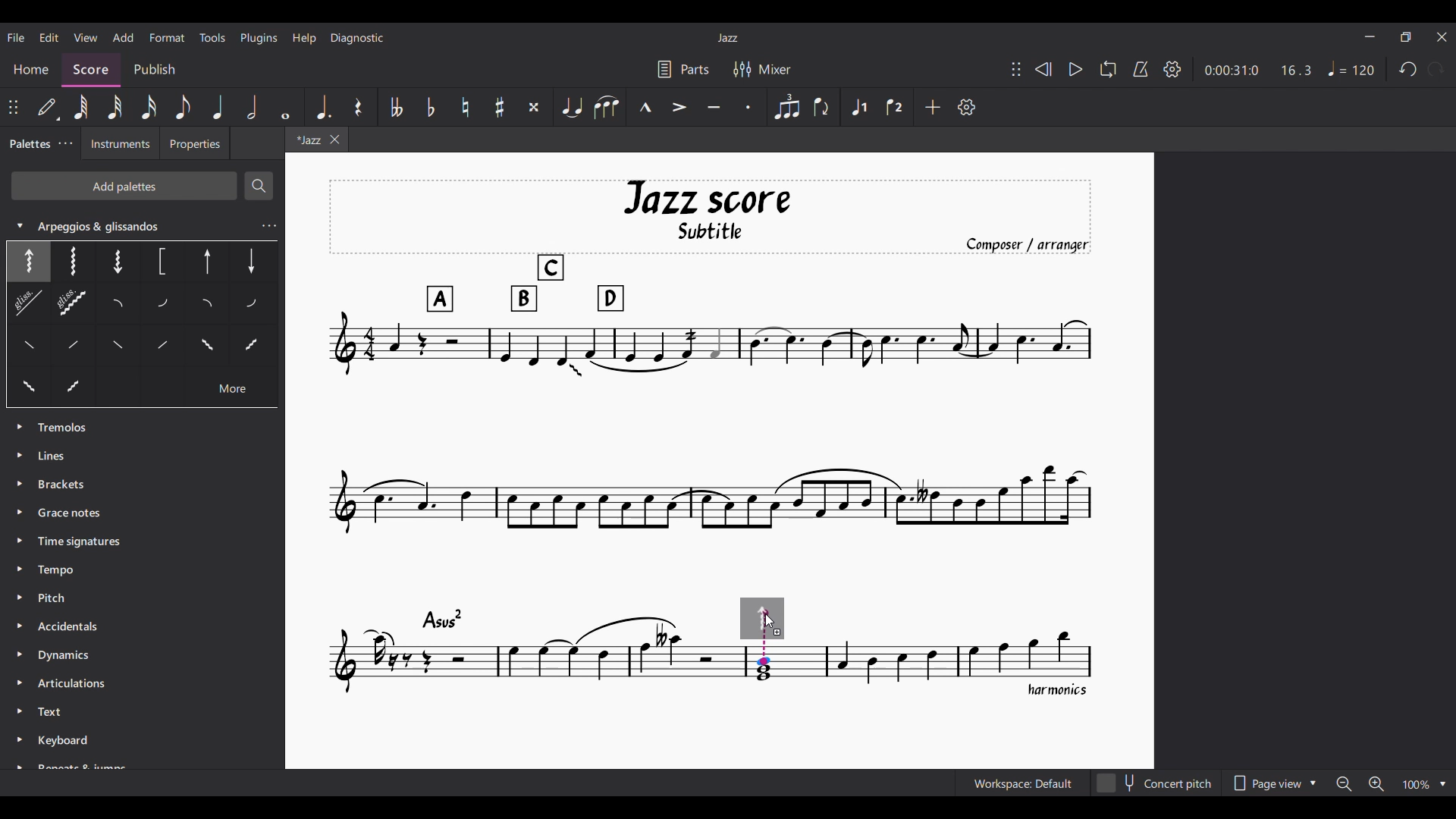  What do you see at coordinates (1436, 69) in the screenshot?
I see `Redo` at bounding box center [1436, 69].